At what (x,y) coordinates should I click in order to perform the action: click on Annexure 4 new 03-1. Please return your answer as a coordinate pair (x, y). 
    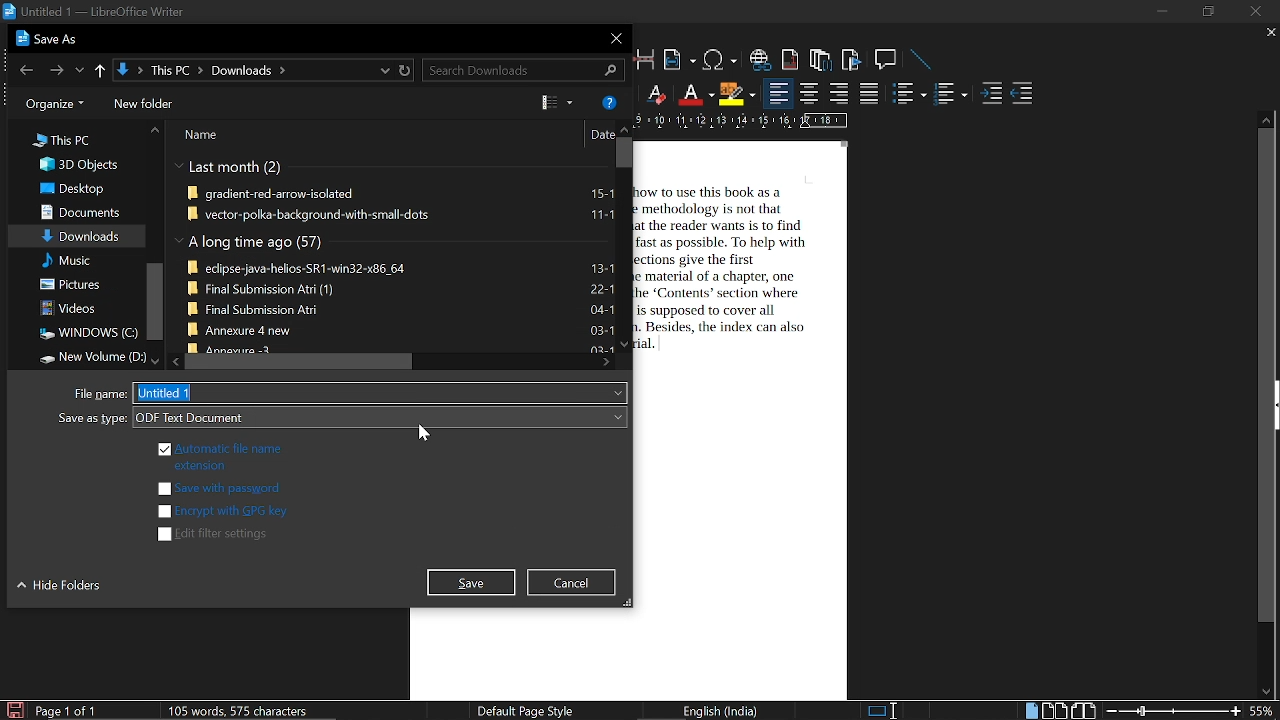
    Looking at the image, I should click on (400, 329).